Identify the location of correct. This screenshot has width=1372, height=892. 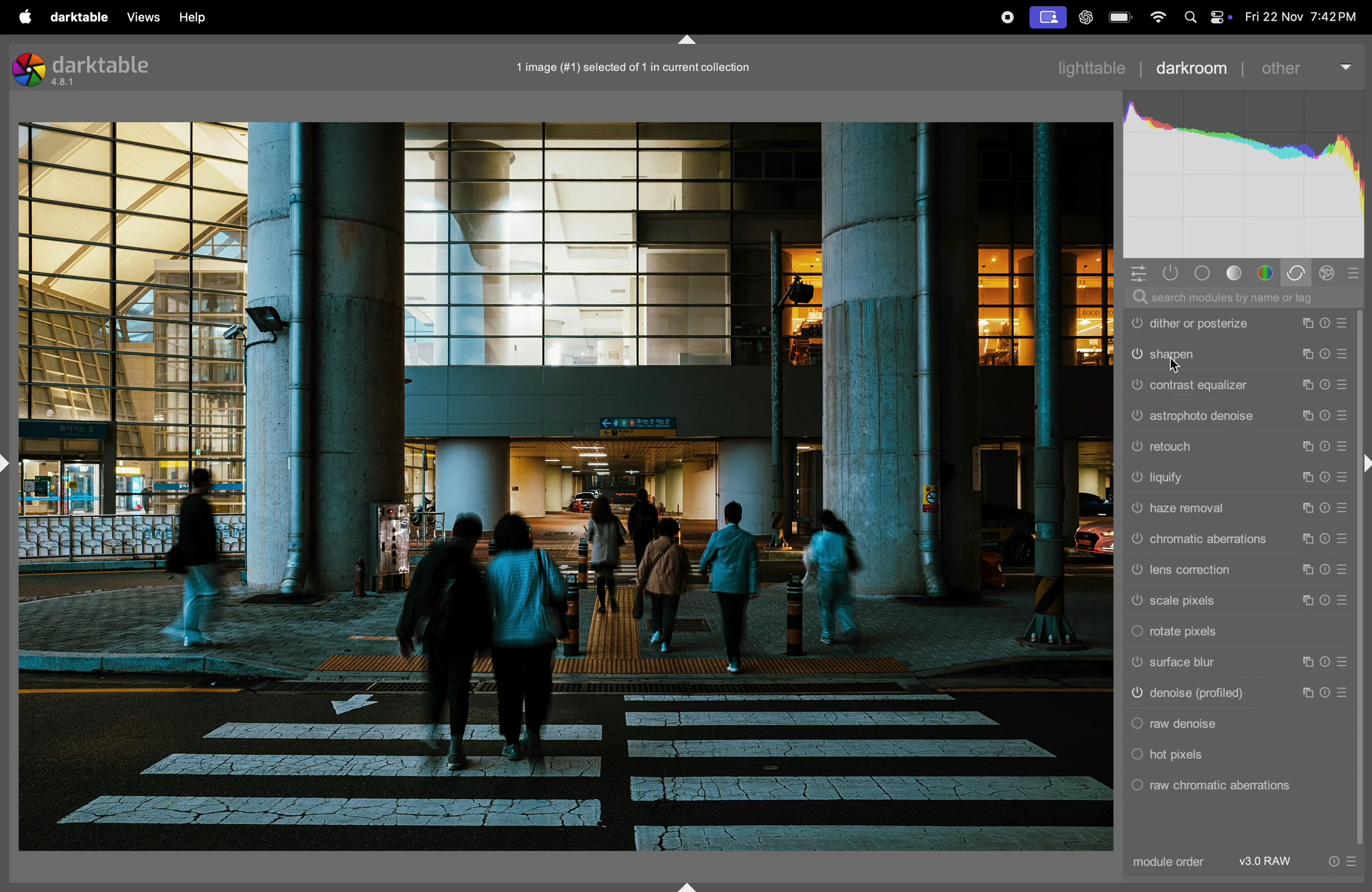
(1298, 273).